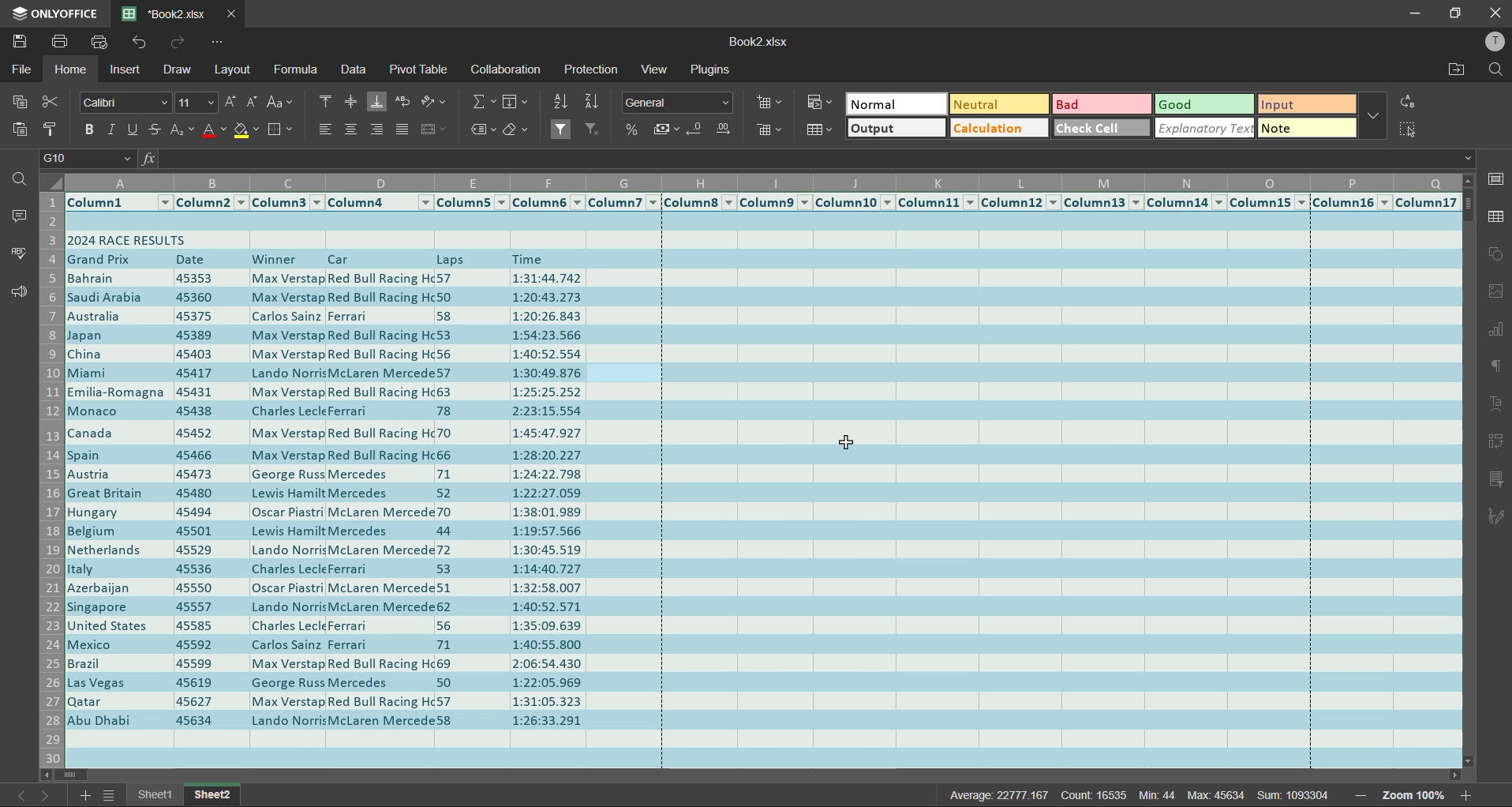 This screenshot has height=807, width=1512. What do you see at coordinates (472, 202) in the screenshot?
I see `Column ` at bounding box center [472, 202].